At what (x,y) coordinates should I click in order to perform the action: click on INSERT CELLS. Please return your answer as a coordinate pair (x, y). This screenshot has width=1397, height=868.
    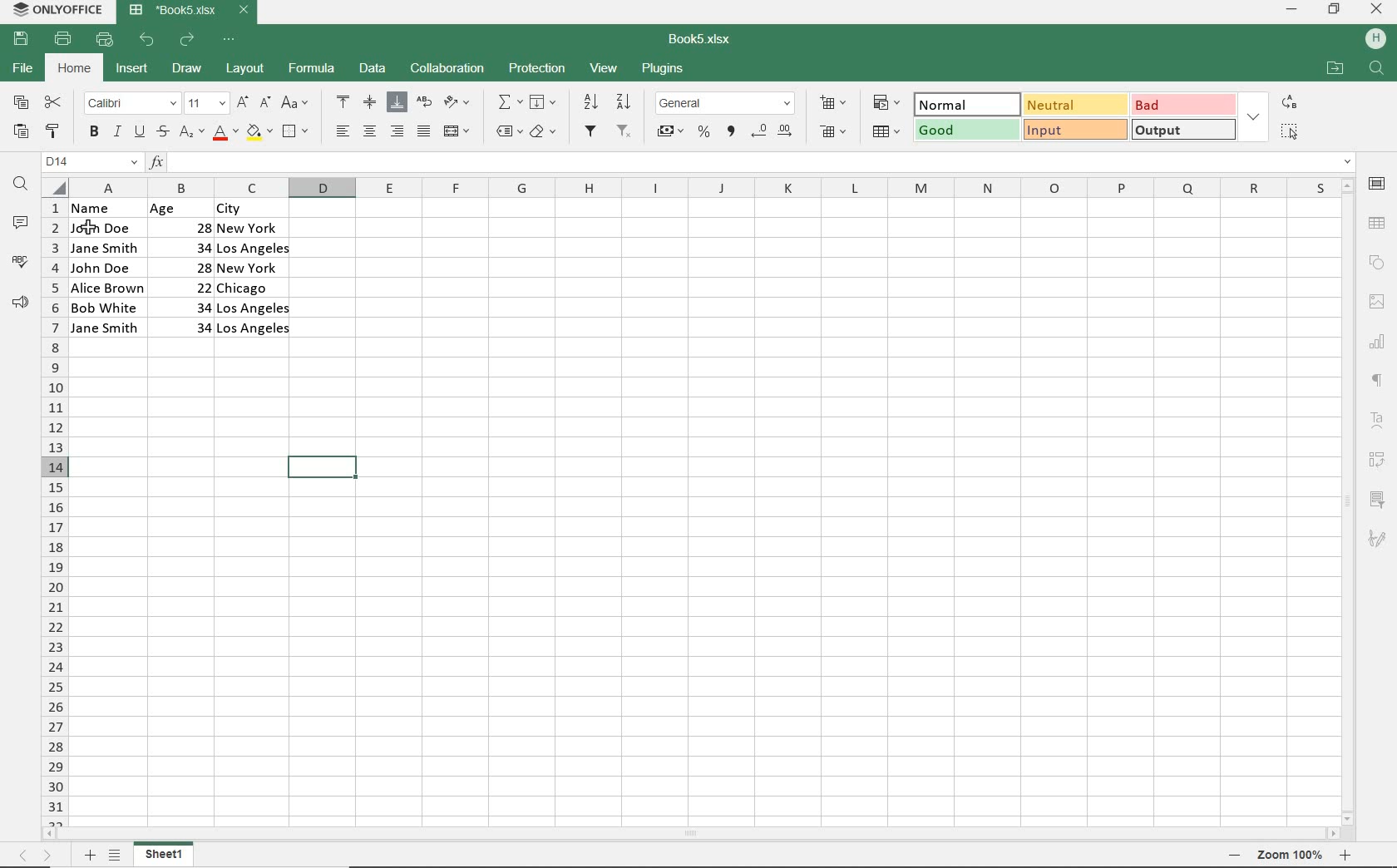
    Looking at the image, I should click on (837, 101).